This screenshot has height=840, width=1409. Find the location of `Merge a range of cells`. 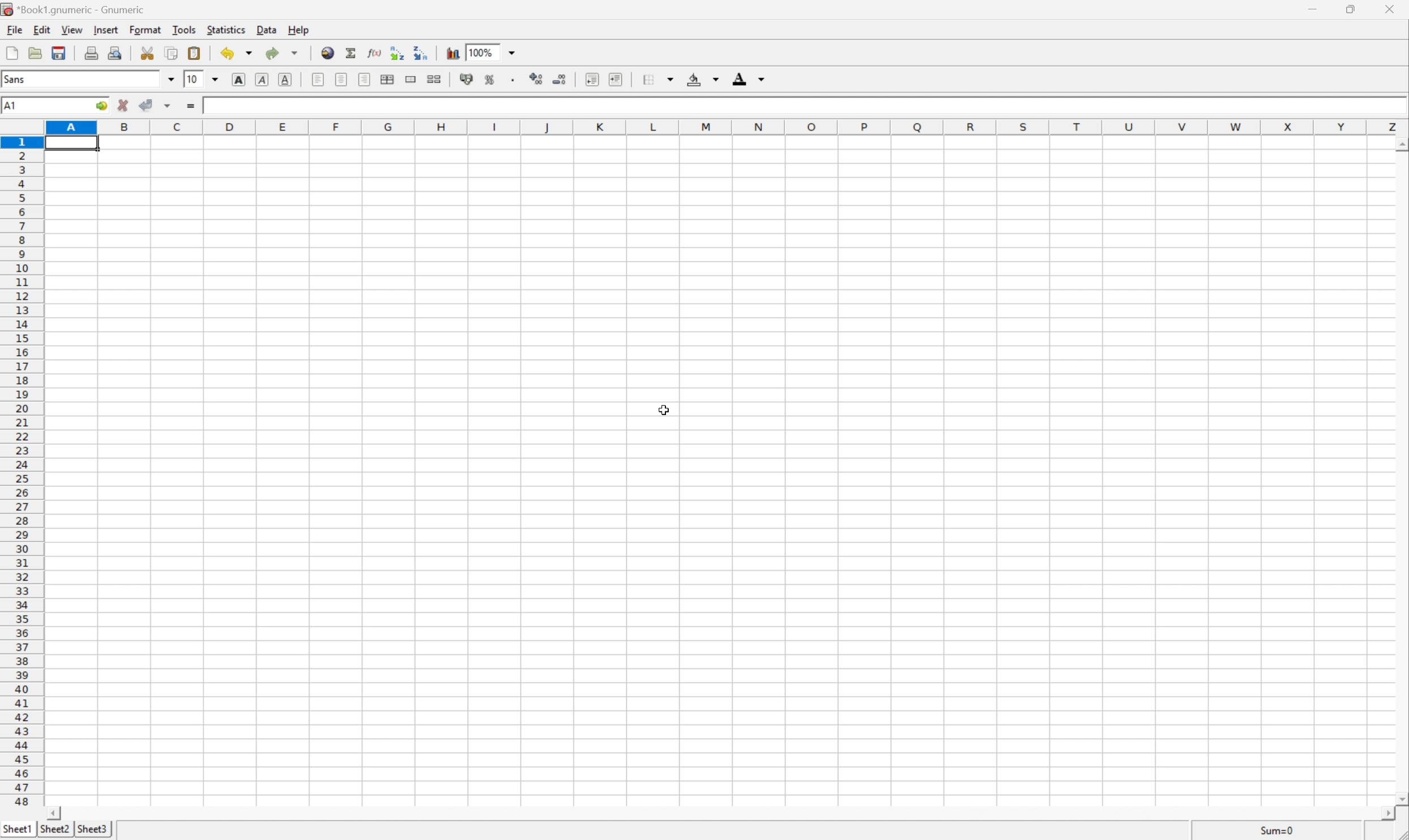

Merge a range of cells is located at coordinates (411, 80).